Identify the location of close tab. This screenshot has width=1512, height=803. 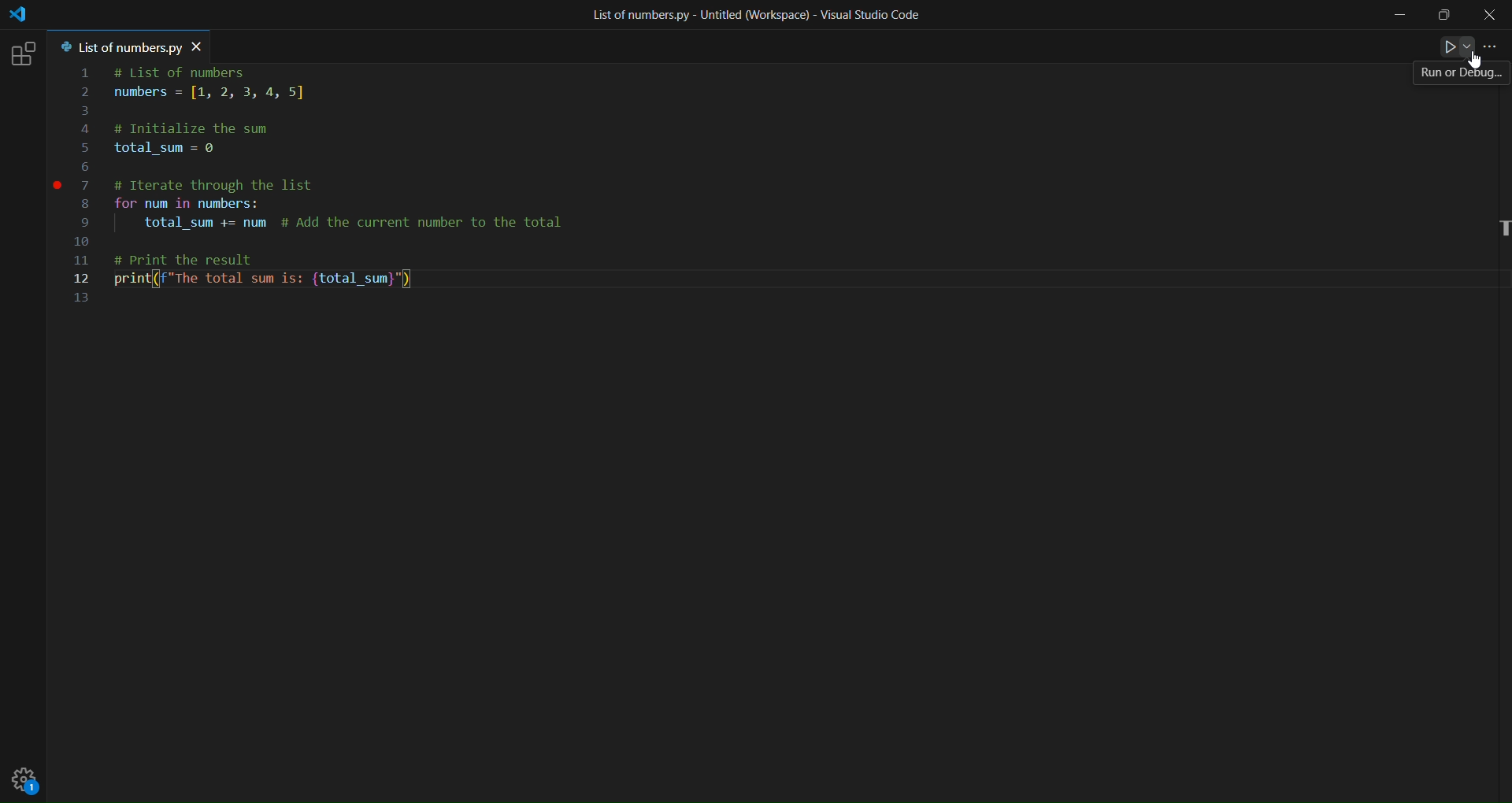
(200, 46).